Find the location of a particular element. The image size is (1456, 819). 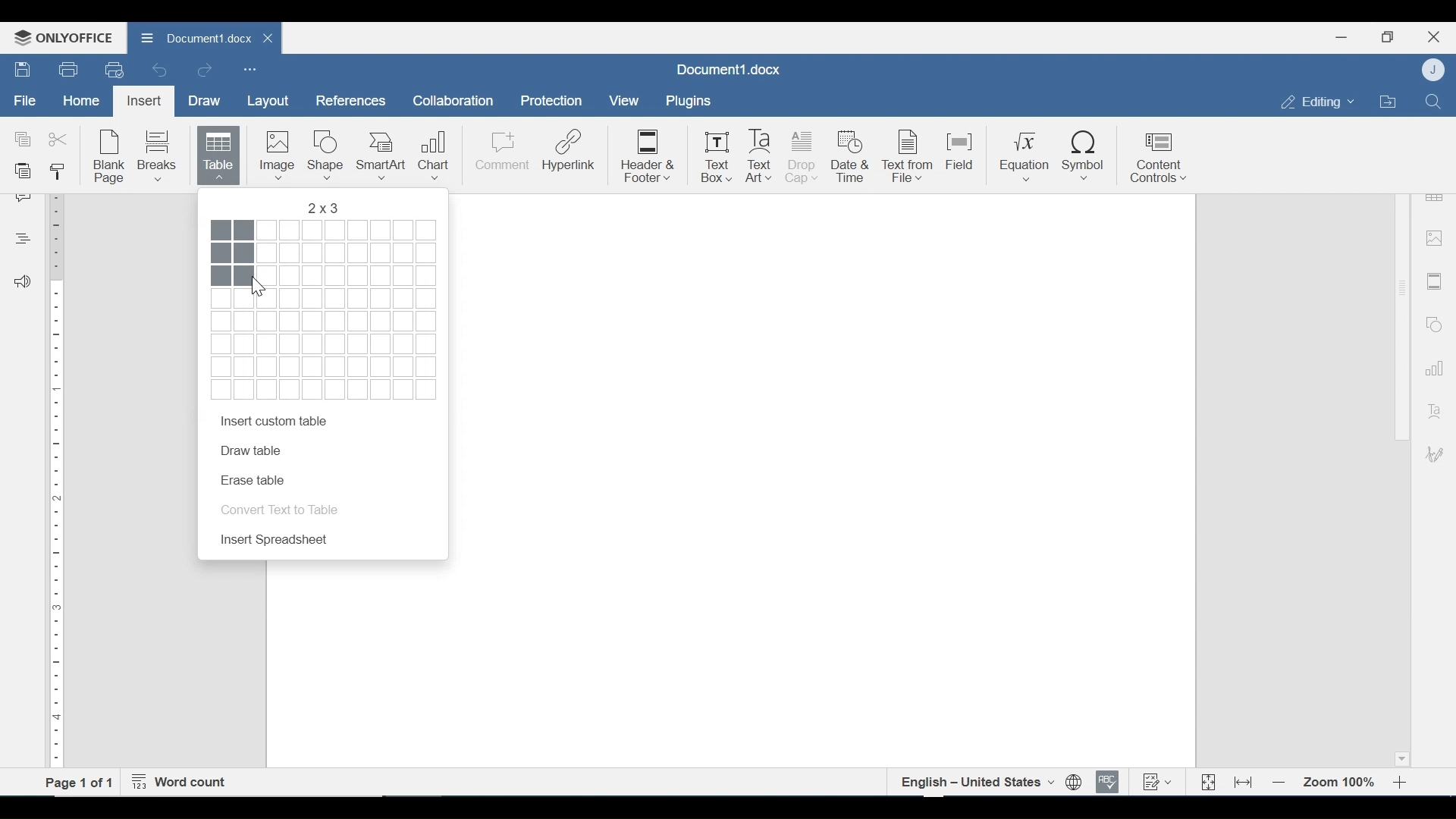

OnlyOffice is located at coordinates (61, 37).